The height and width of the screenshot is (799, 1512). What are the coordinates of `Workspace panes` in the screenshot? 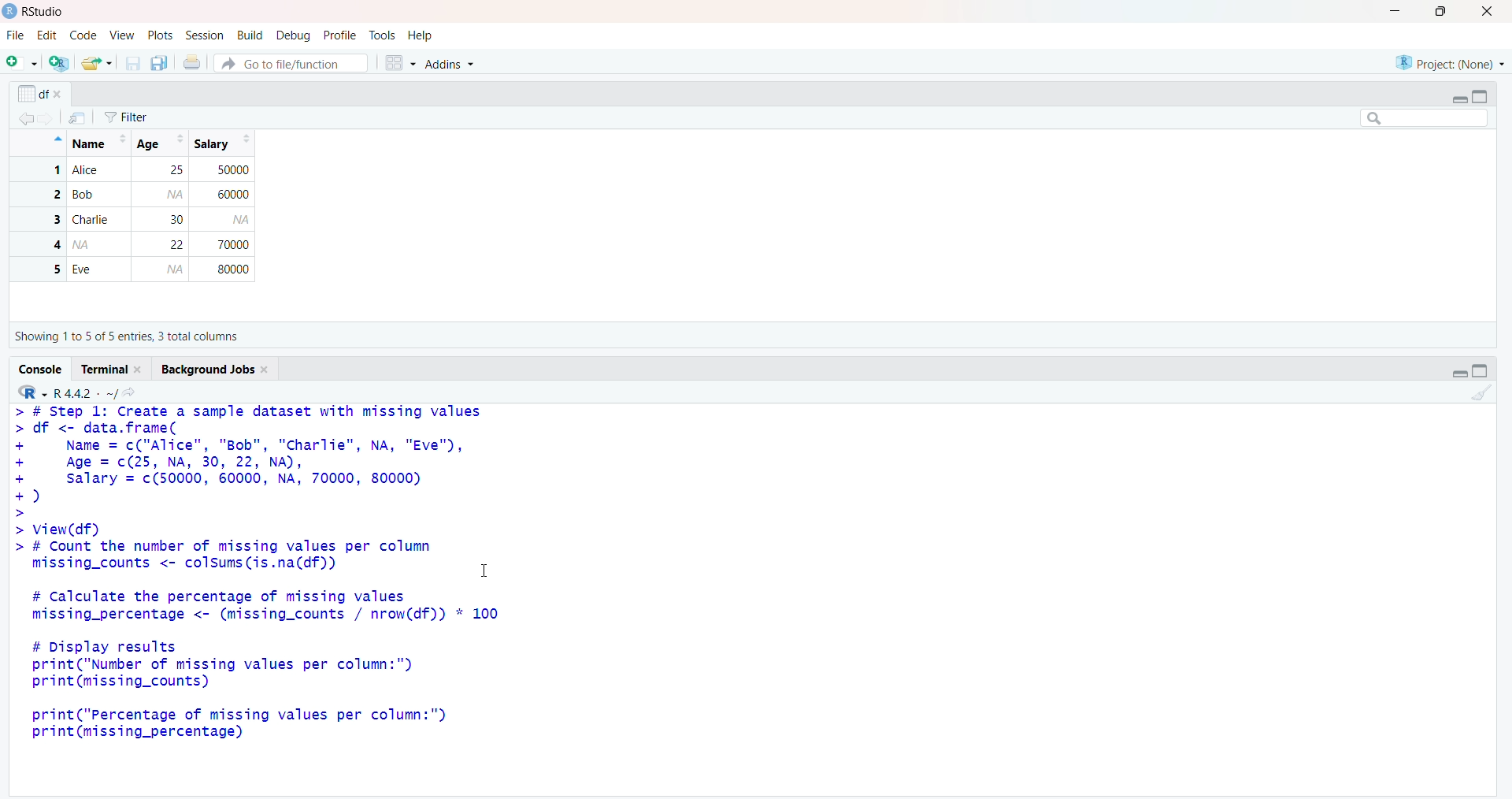 It's located at (399, 63).